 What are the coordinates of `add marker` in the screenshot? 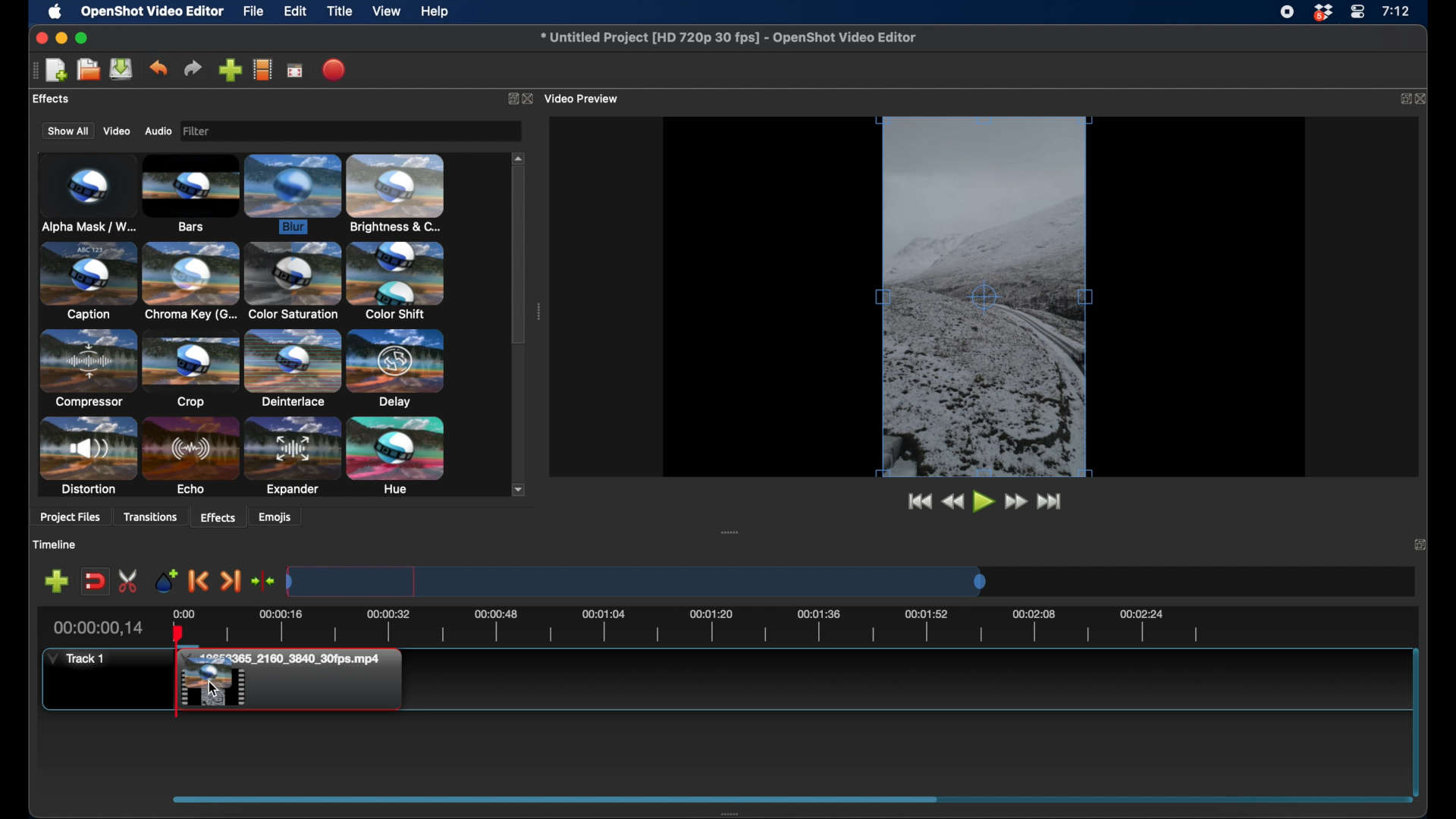 It's located at (165, 580).